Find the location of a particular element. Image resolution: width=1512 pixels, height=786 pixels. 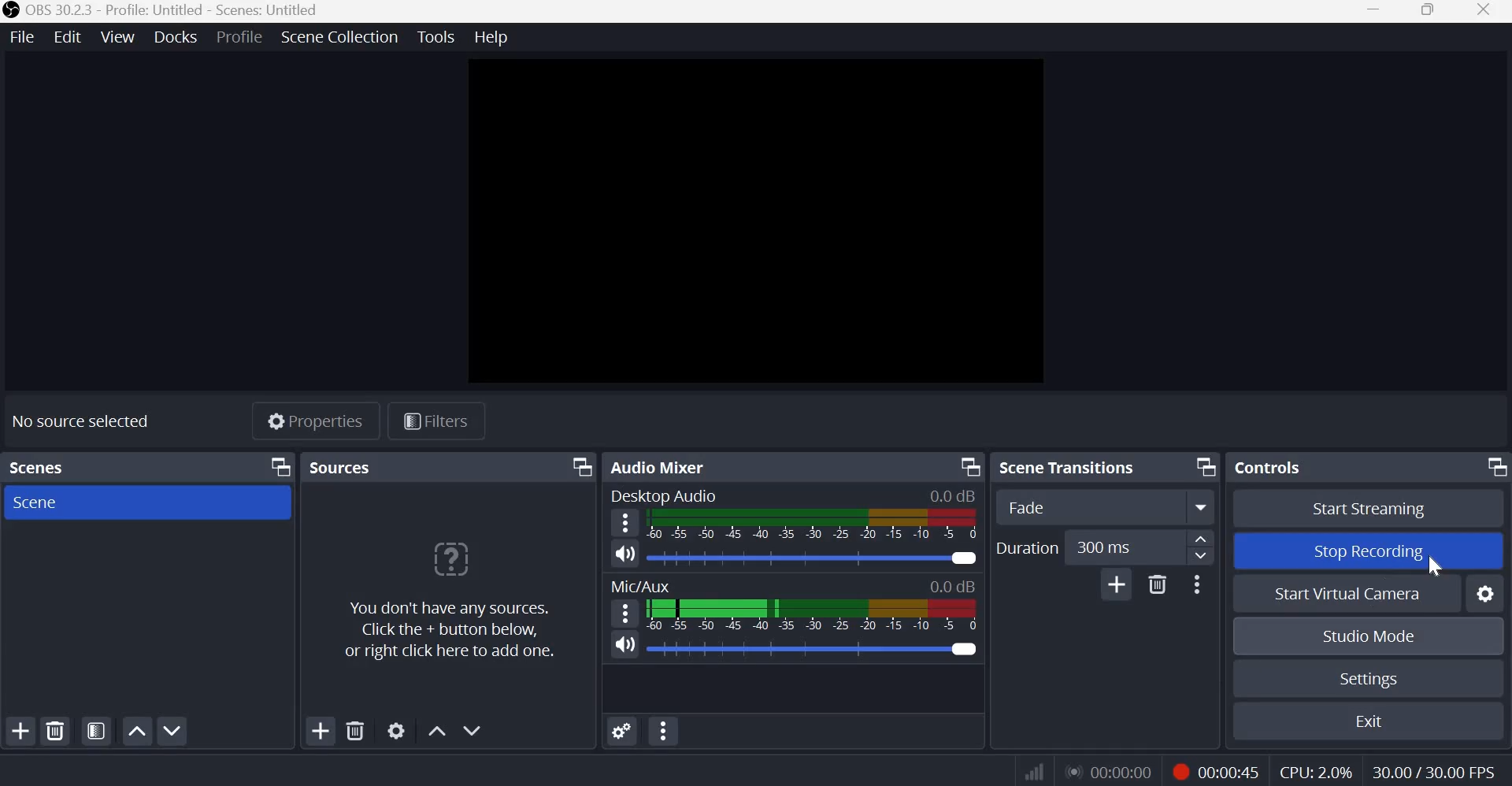

Canvas is located at coordinates (754, 218).